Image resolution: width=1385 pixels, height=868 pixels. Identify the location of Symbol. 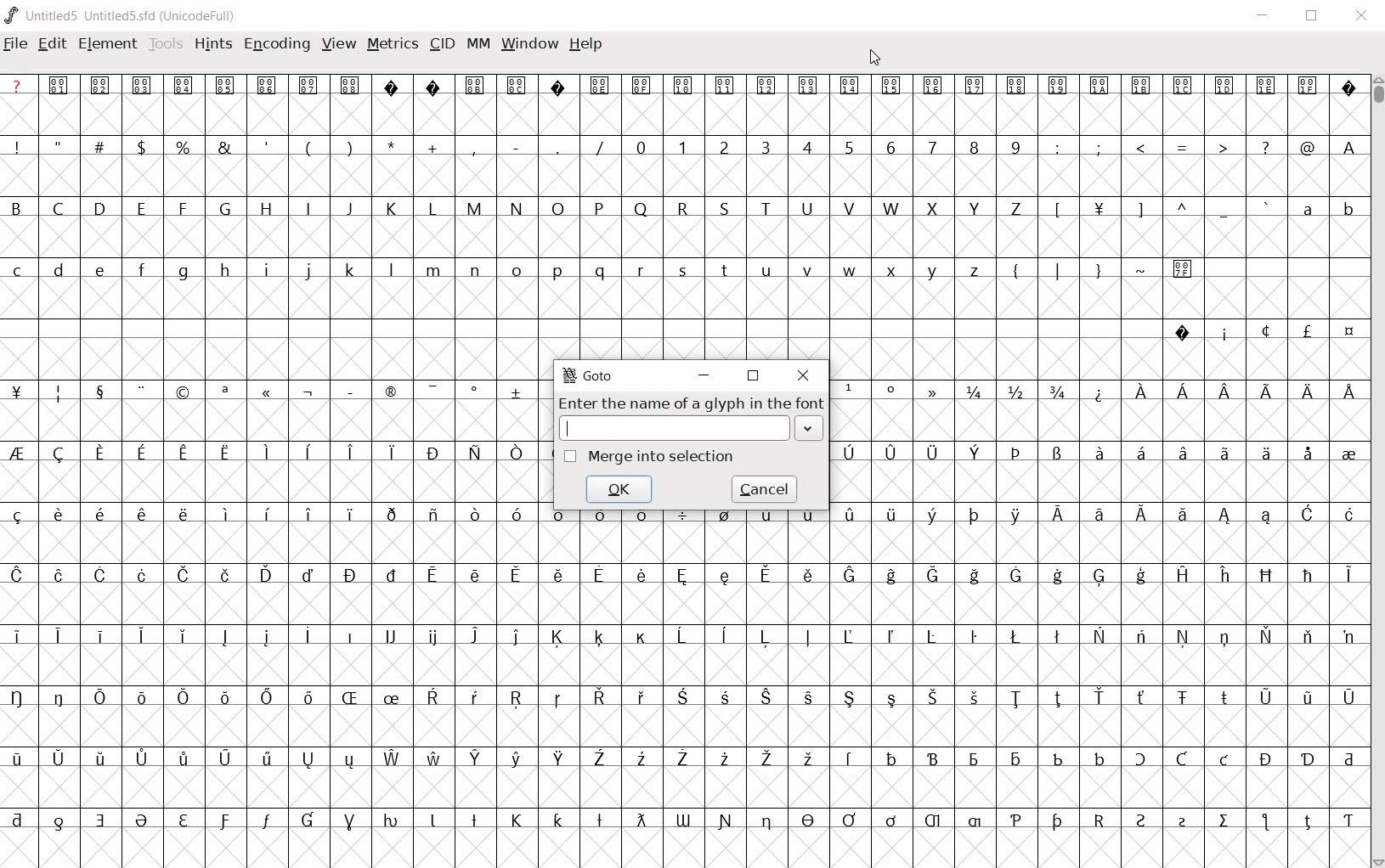
(848, 391).